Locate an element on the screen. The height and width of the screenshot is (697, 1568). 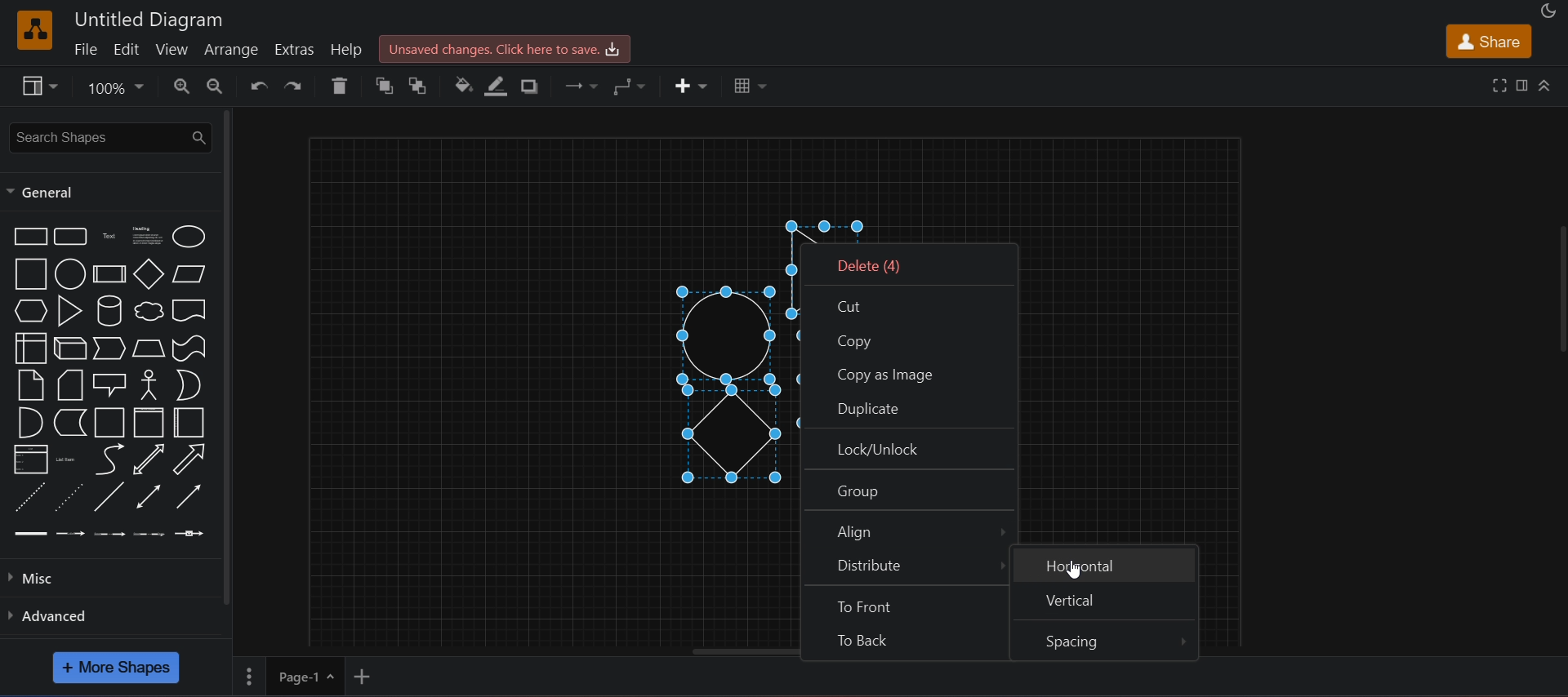
view is located at coordinates (173, 50).